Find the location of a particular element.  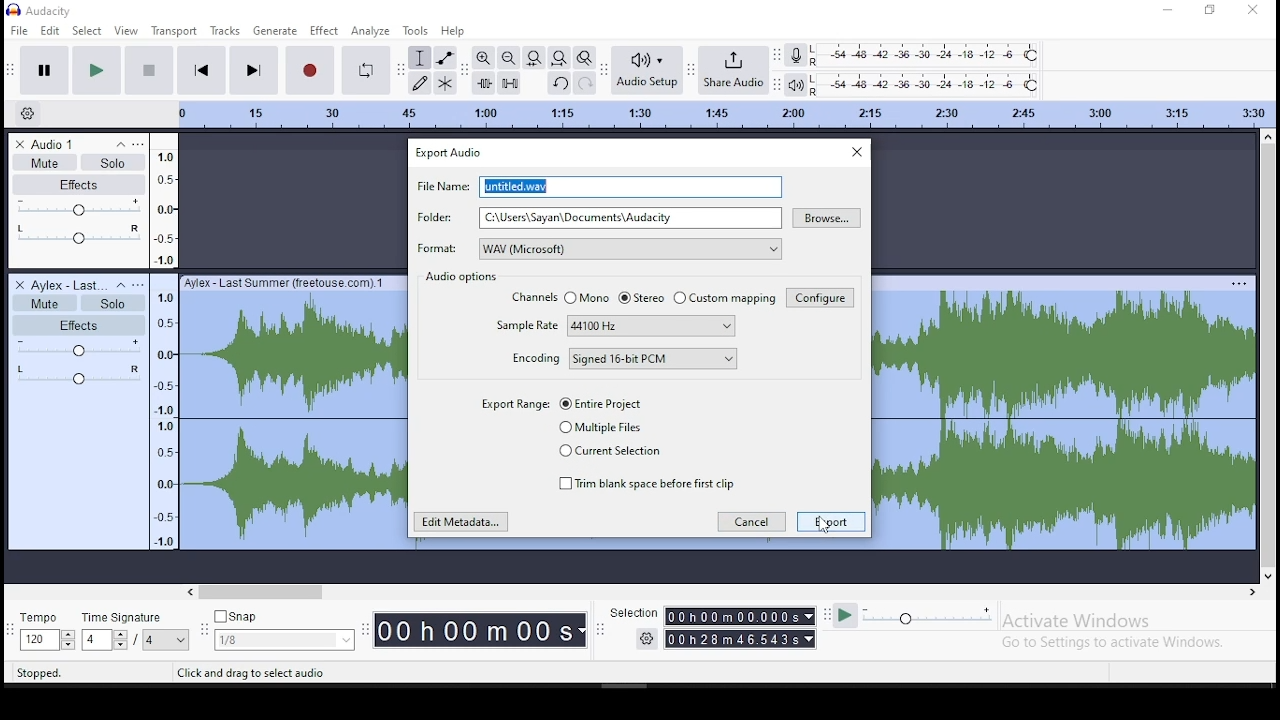

playback speed is located at coordinates (928, 618).